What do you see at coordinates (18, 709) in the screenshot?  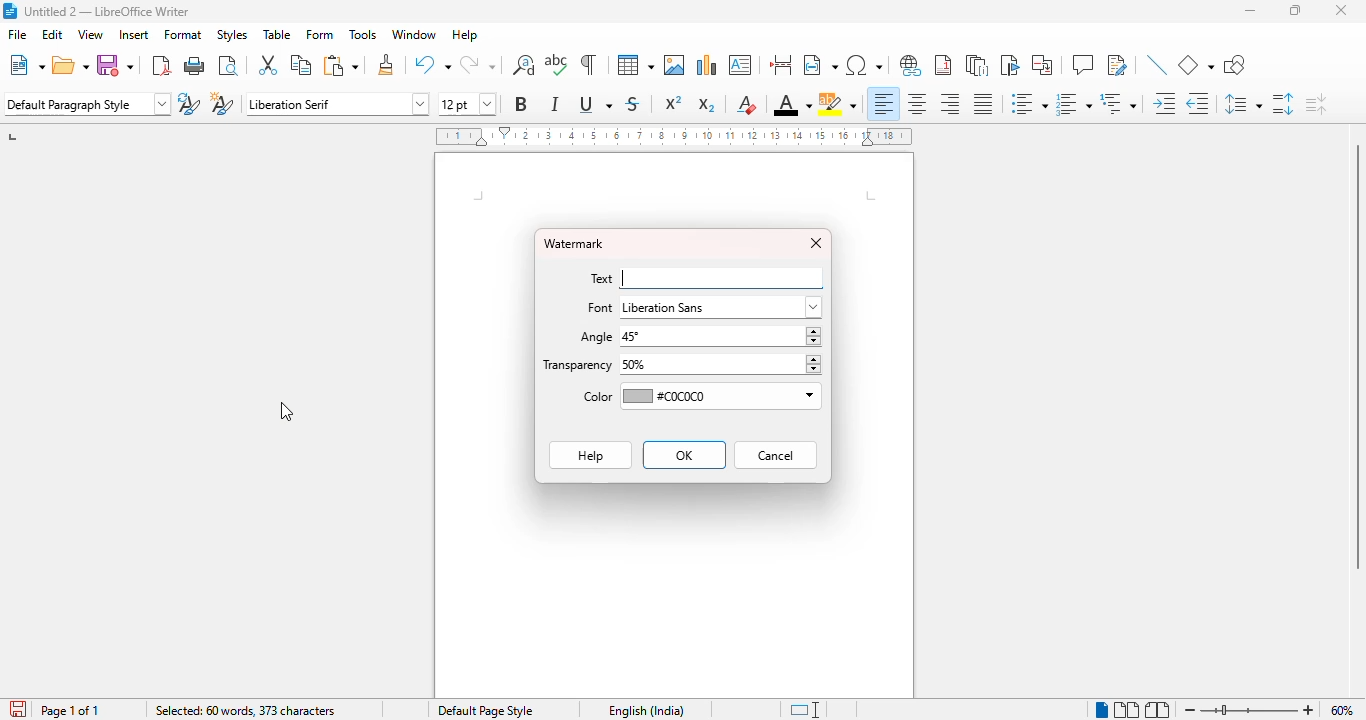 I see `click to save the document` at bounding box center [18, 709].